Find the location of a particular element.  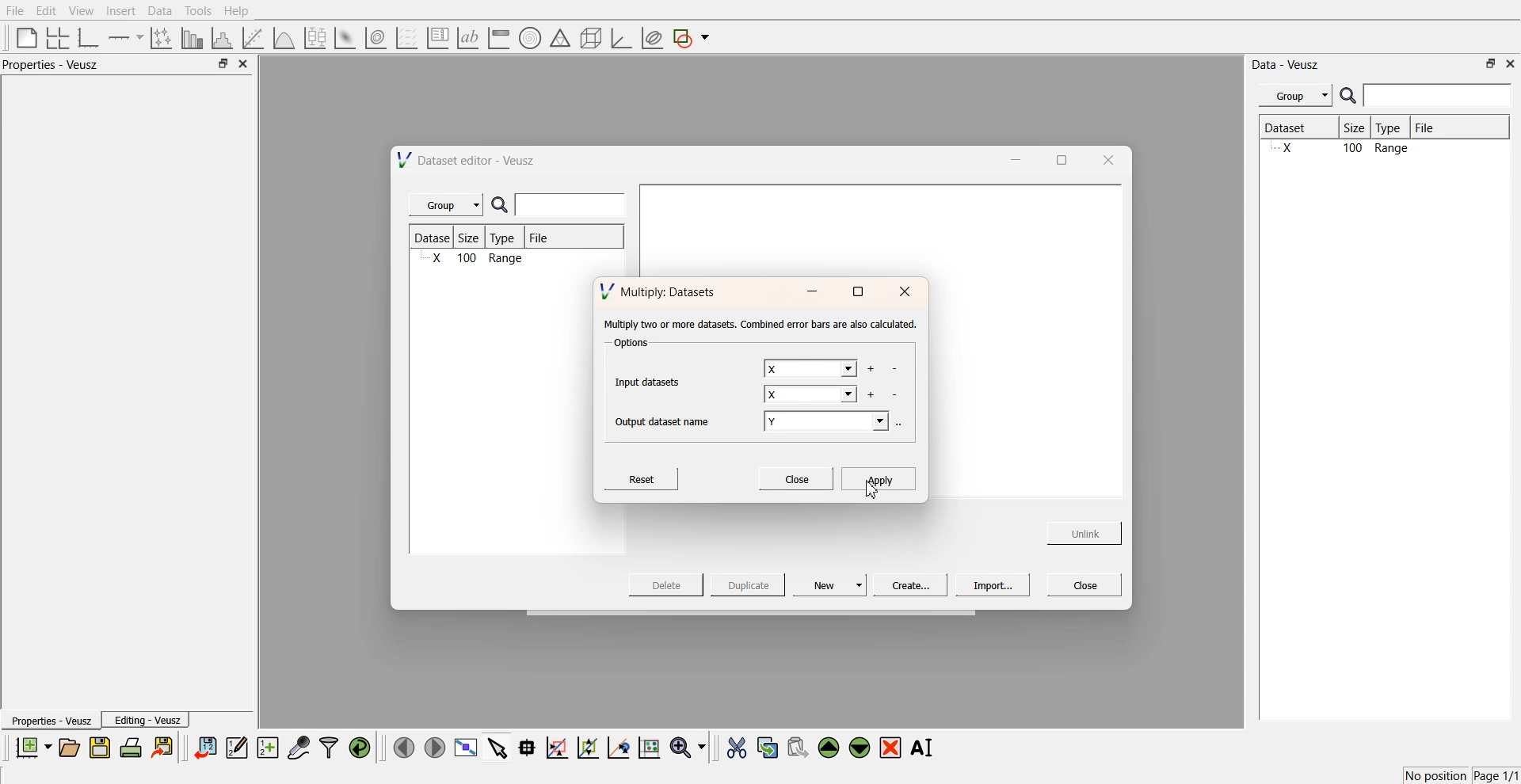

cursor is located at coordinates (871, 493).